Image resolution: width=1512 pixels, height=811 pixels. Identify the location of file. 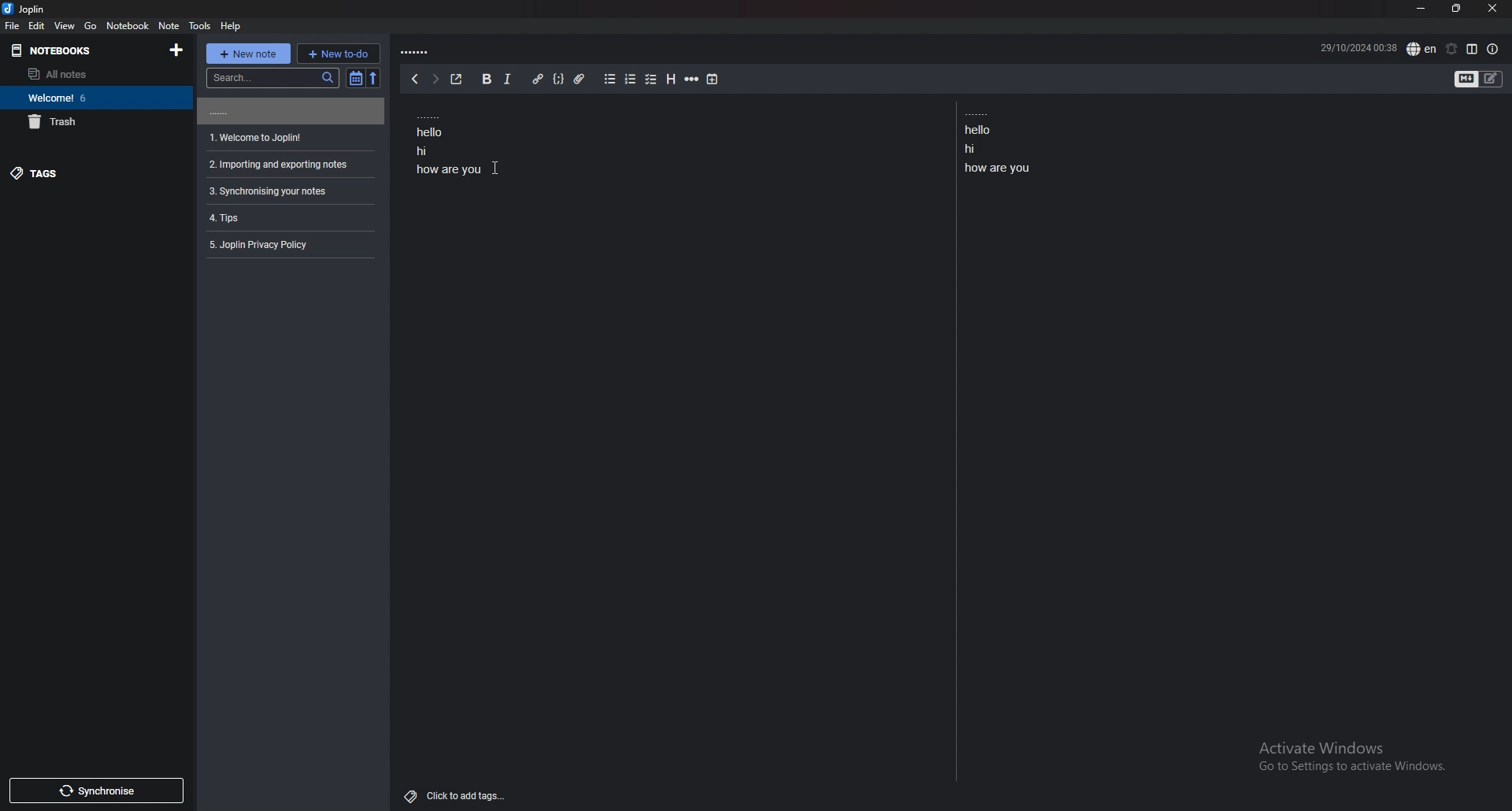
(13, 26).